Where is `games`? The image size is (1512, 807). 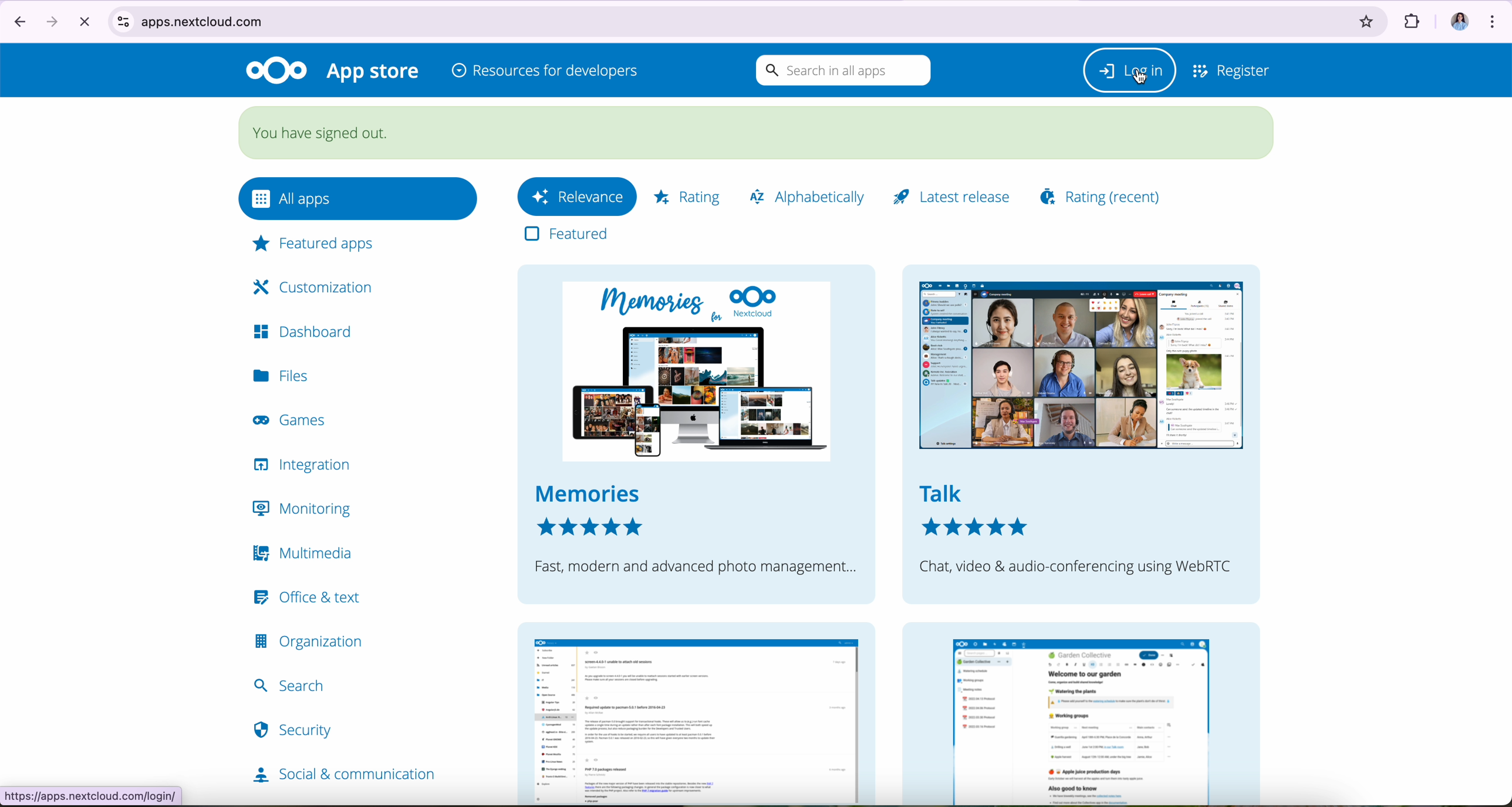 games is located at coordinates (286, 418).